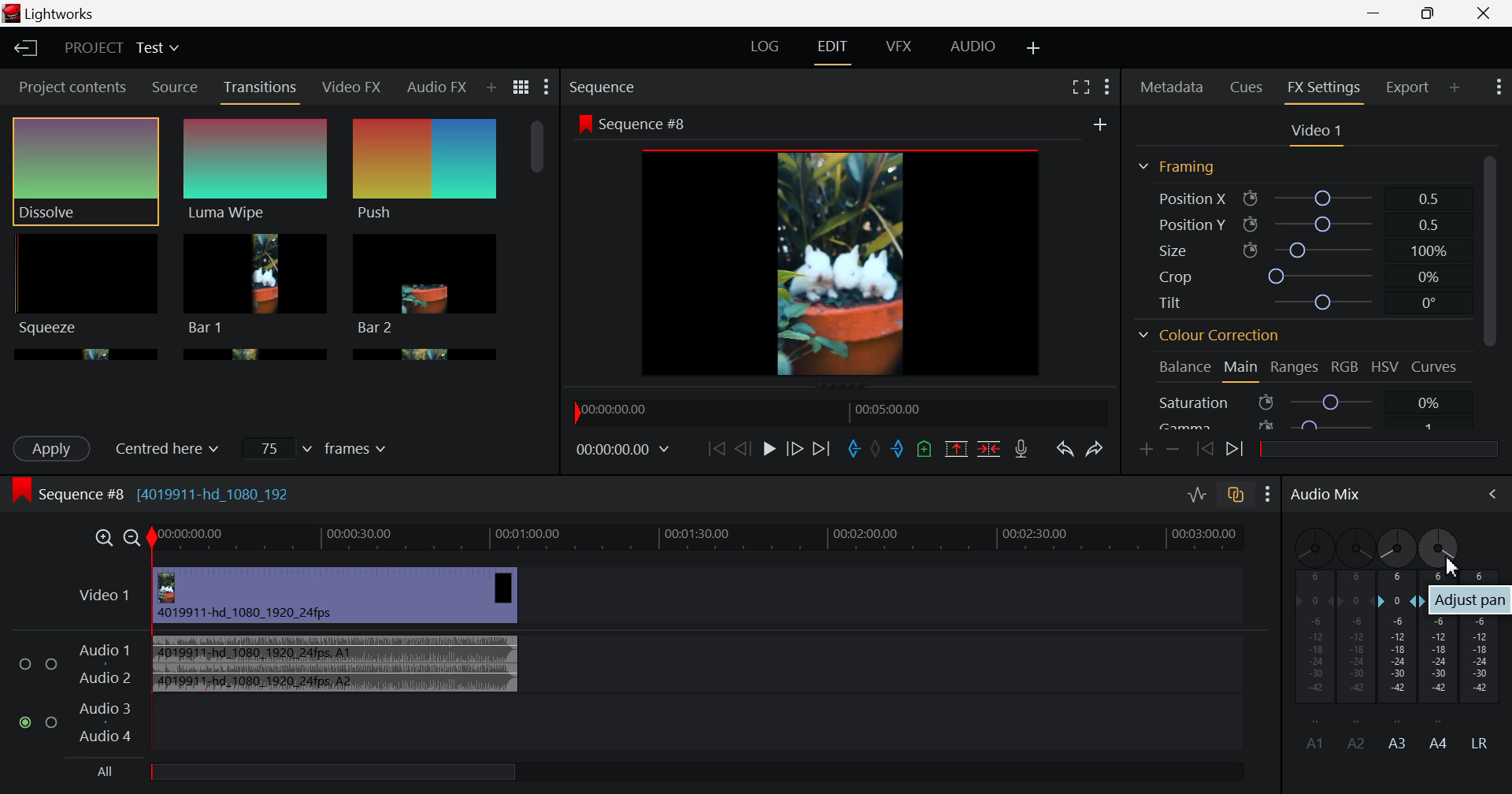 The image size is (1512, 794). Describe the element at coordinates (1347, 367) in the screenshot. I see `RGB` at that location.